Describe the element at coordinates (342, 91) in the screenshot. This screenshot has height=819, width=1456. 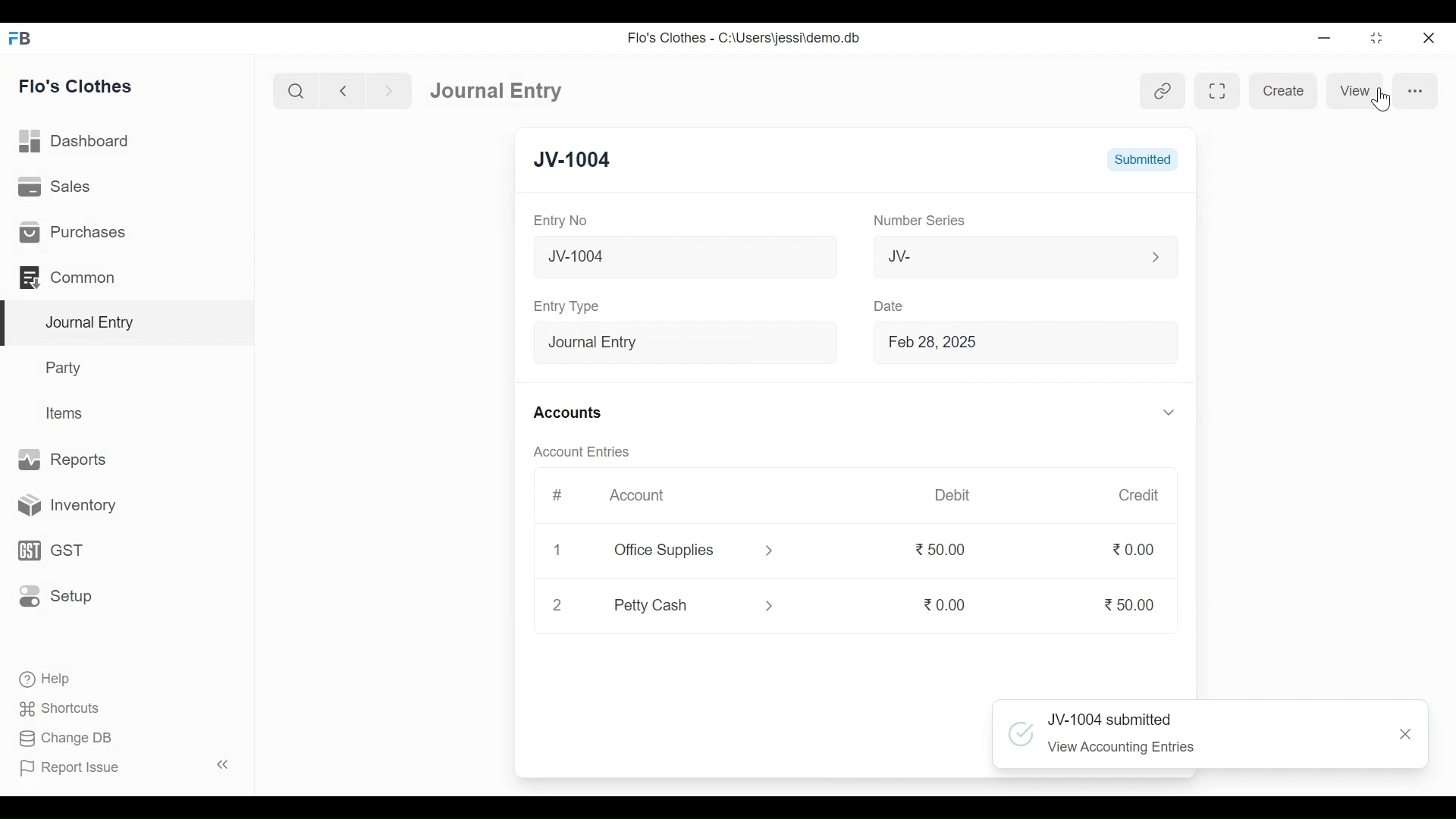
I see `Navigate Back` at that location.